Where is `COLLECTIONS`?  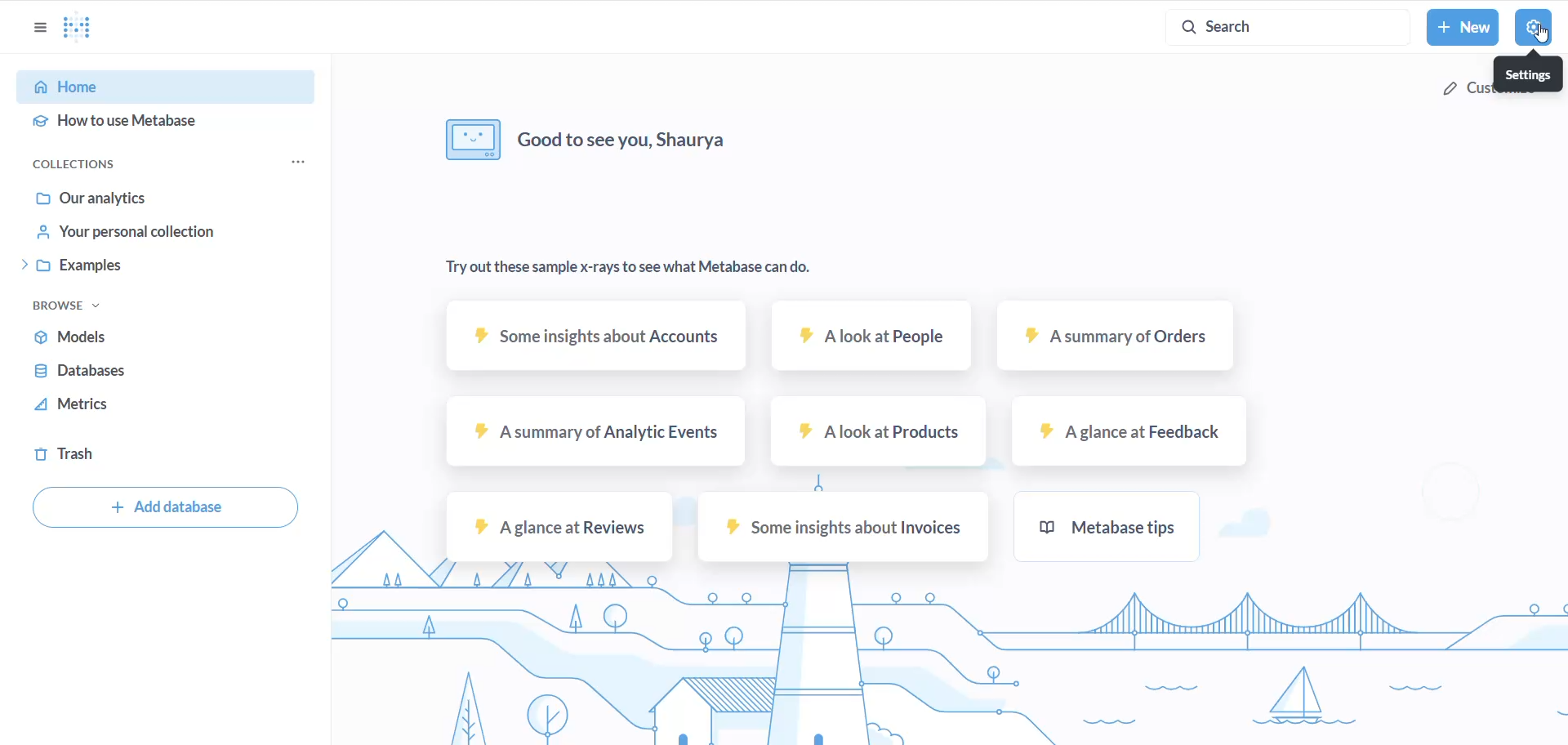
COLLECTIONS is located at coordinates (90, 164).